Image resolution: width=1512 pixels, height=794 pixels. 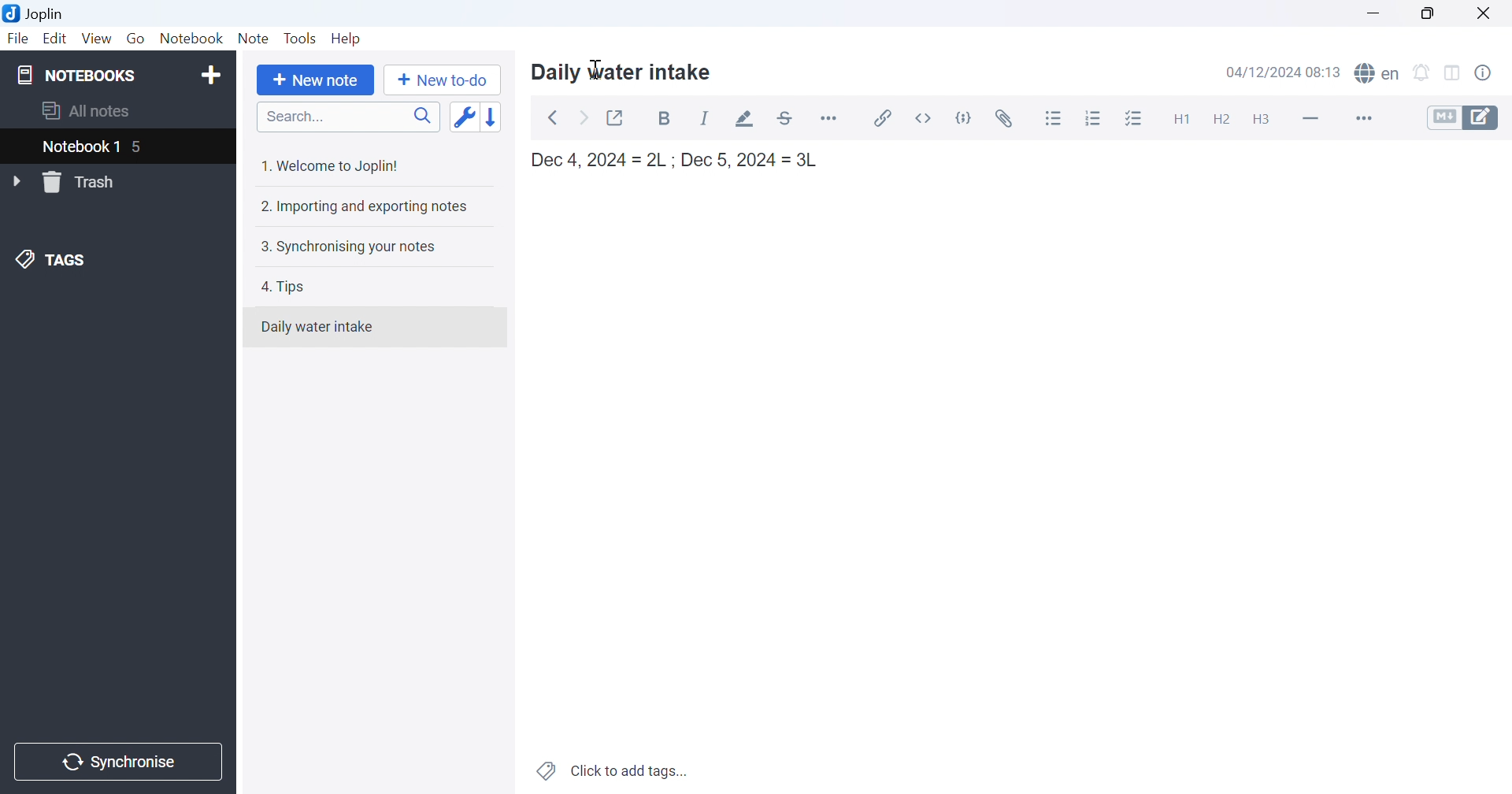 What do you see at coordinates (668, 120) in the screenshot?
I see `Bold` at bounding box center [668, 120].